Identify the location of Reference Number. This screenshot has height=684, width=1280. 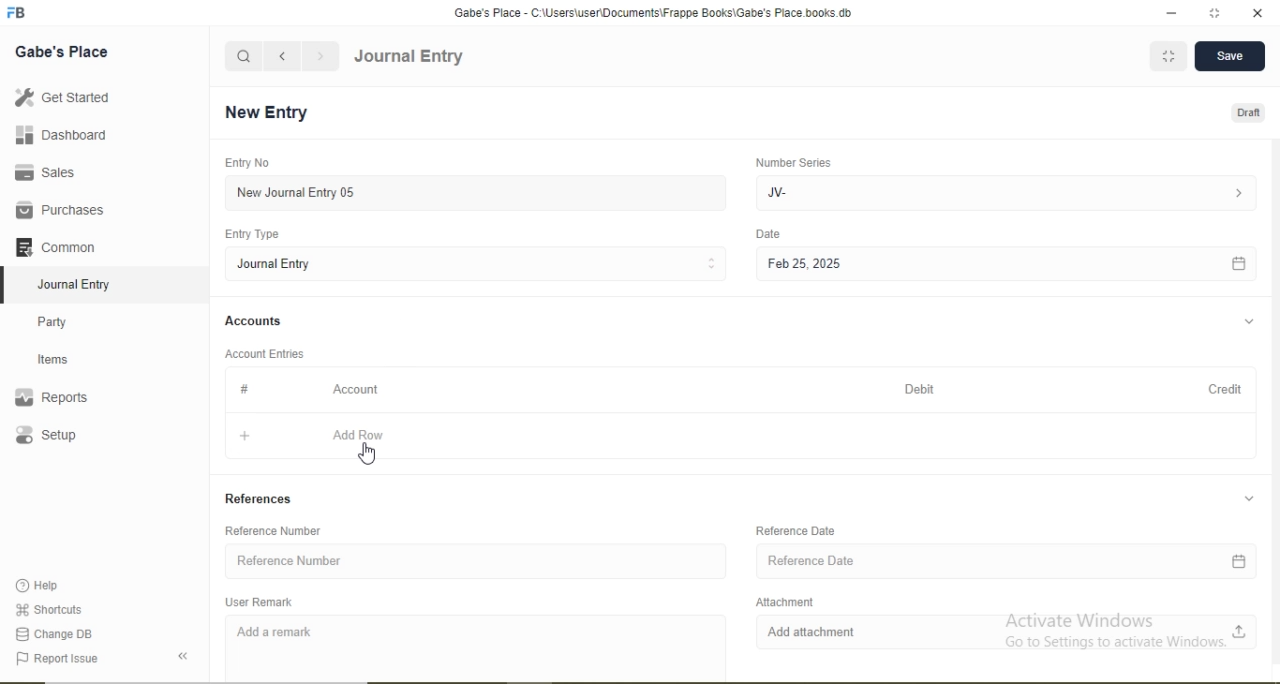
(474, 562).